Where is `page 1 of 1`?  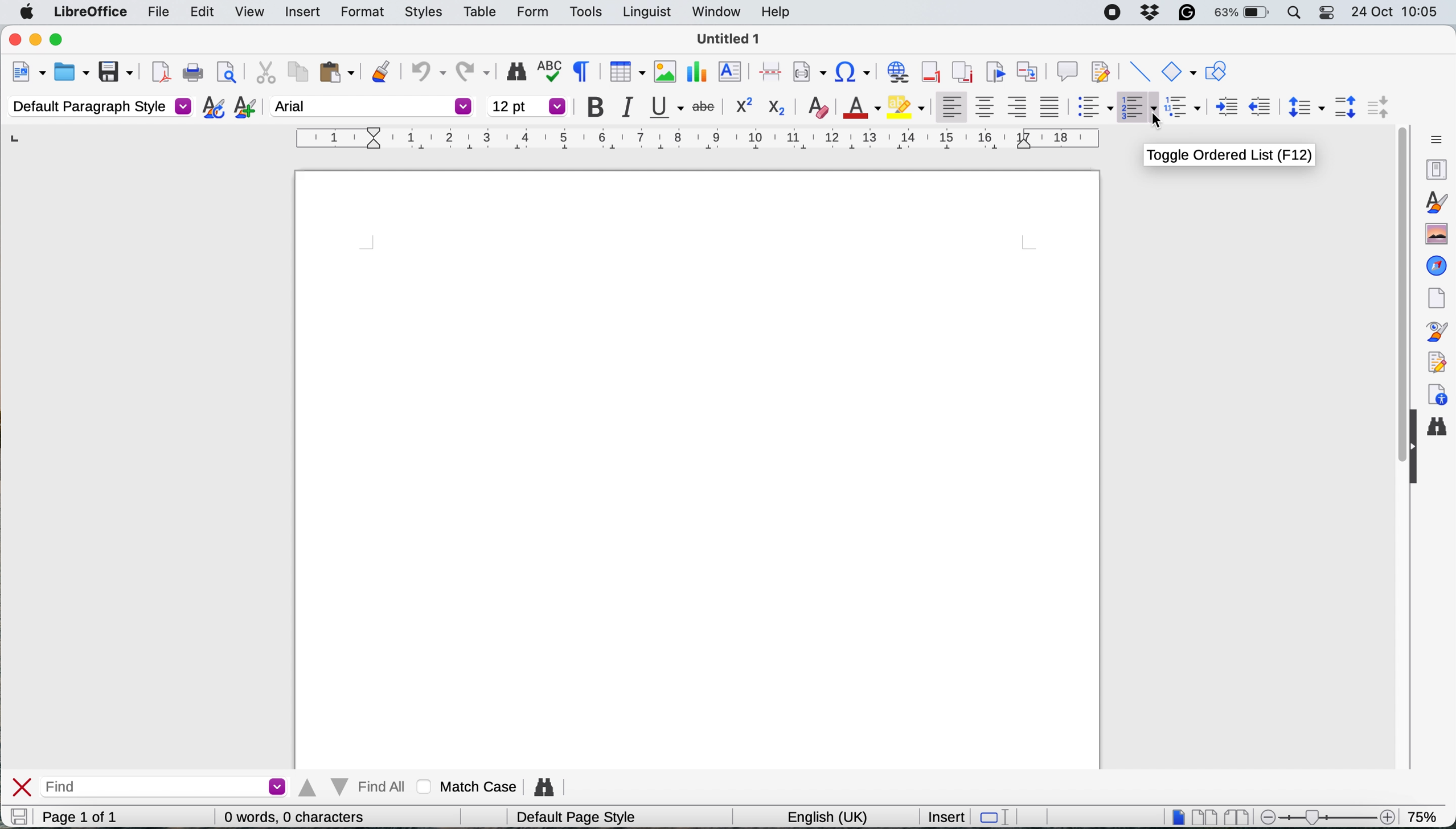
page 1 of 1 is located at coordinates (98, 817).